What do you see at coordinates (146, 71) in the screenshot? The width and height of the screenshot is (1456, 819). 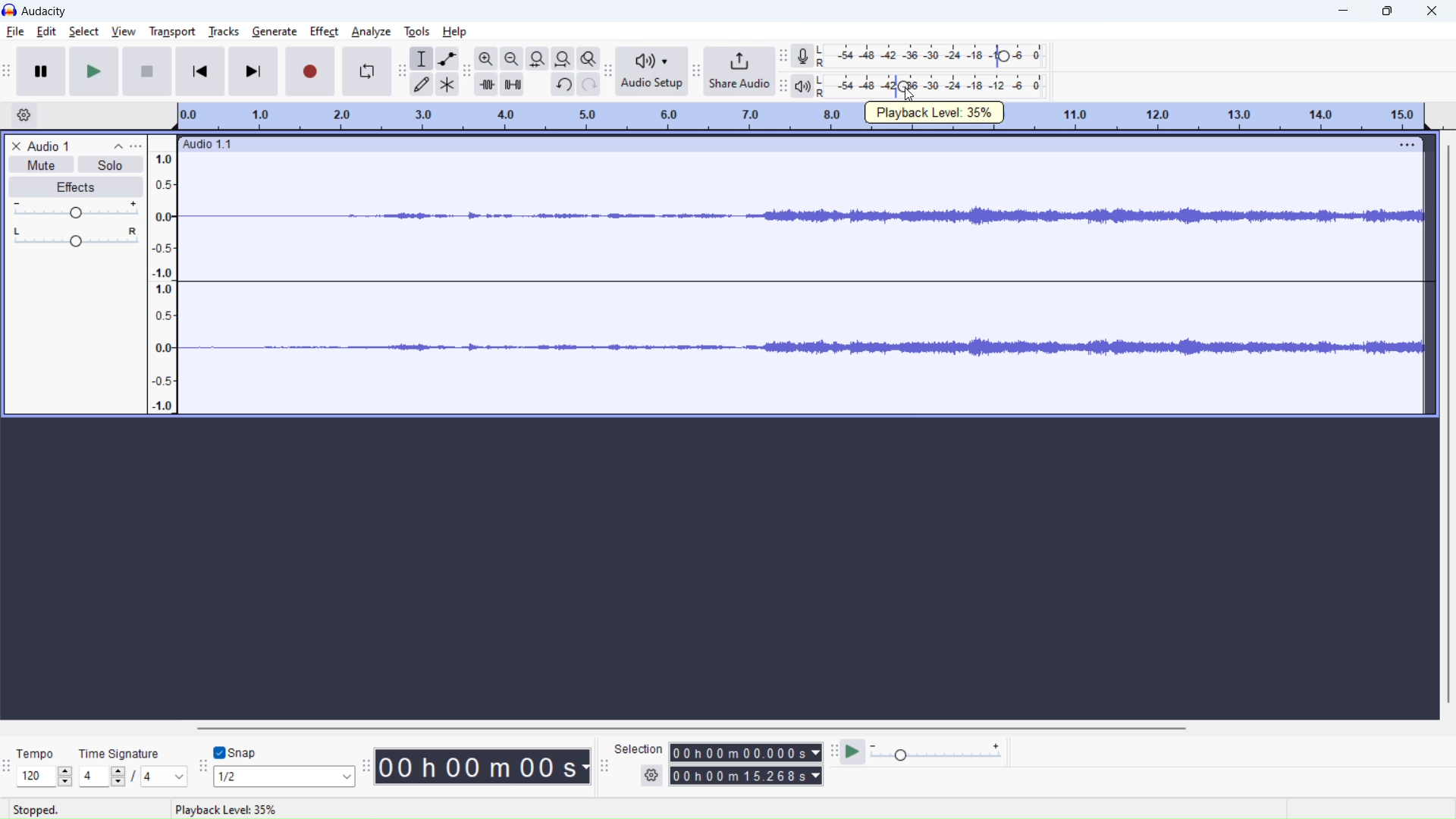 I see `stop` at bounding box center [146, 71].